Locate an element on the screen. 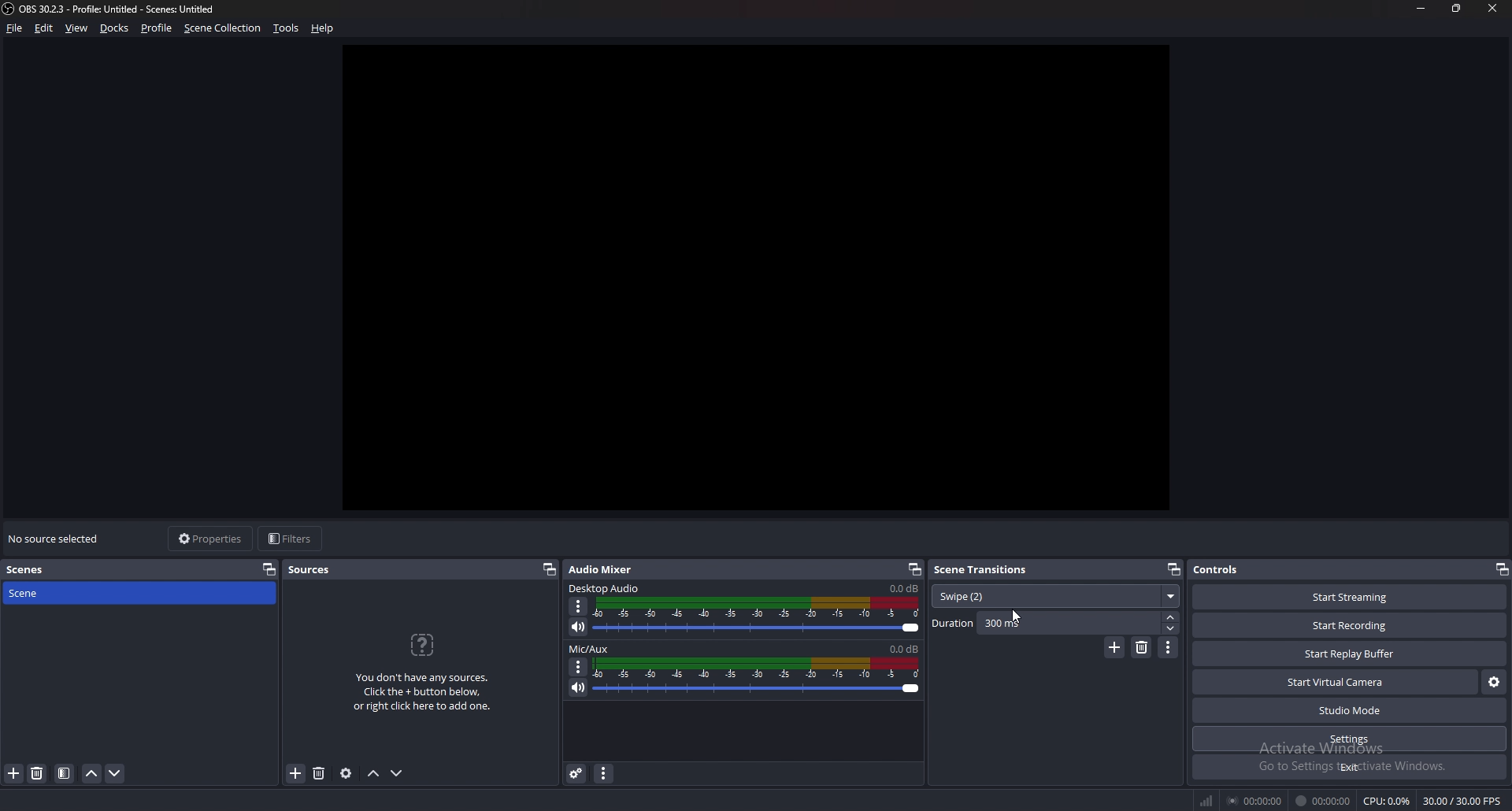 The width and height of the screenshot is (1512, 811). configure virtual camera is located at coordinates (1493, 680).